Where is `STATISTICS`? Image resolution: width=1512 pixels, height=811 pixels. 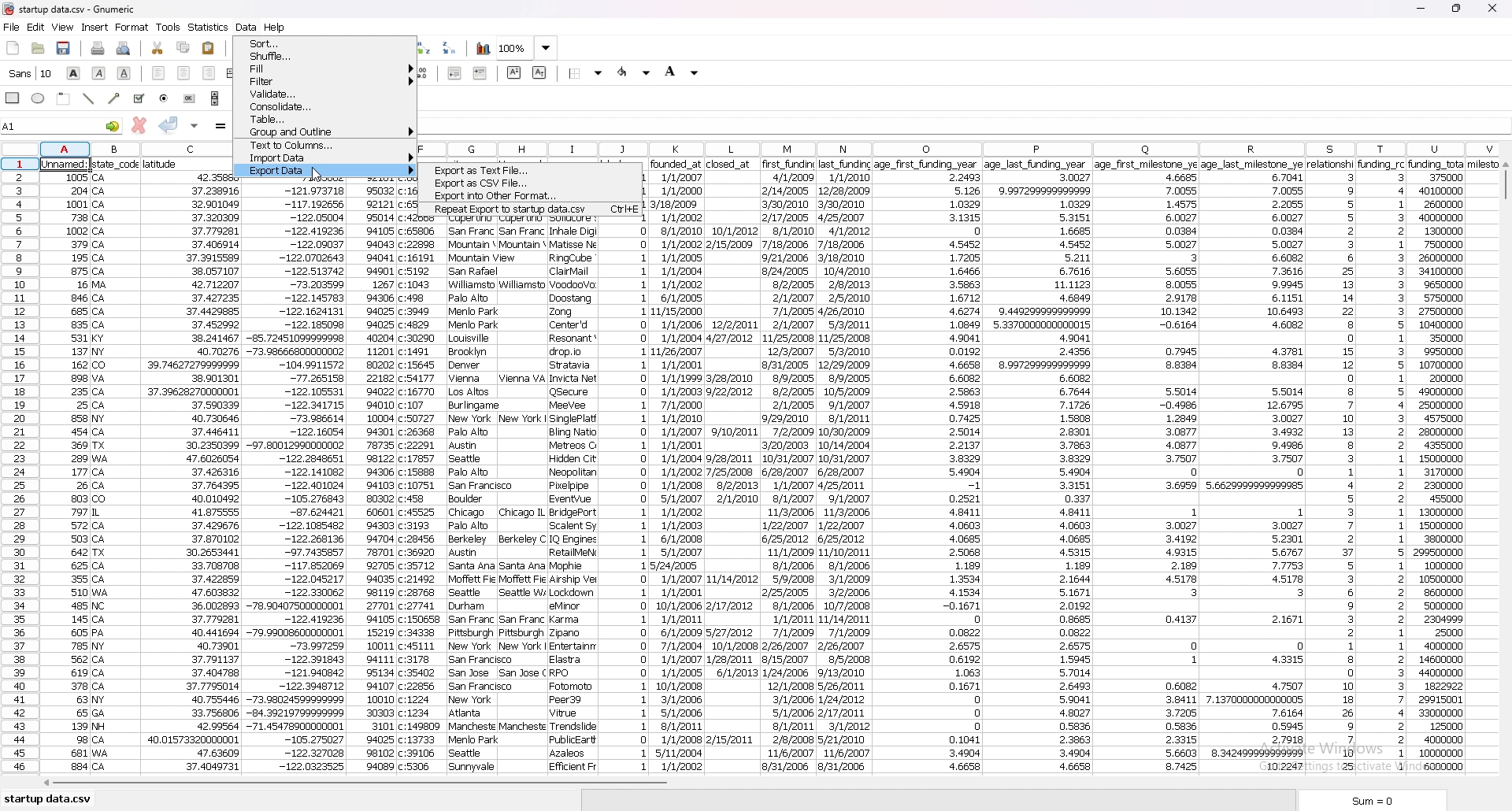
STATISTICS is located at coordinates (209, 27).